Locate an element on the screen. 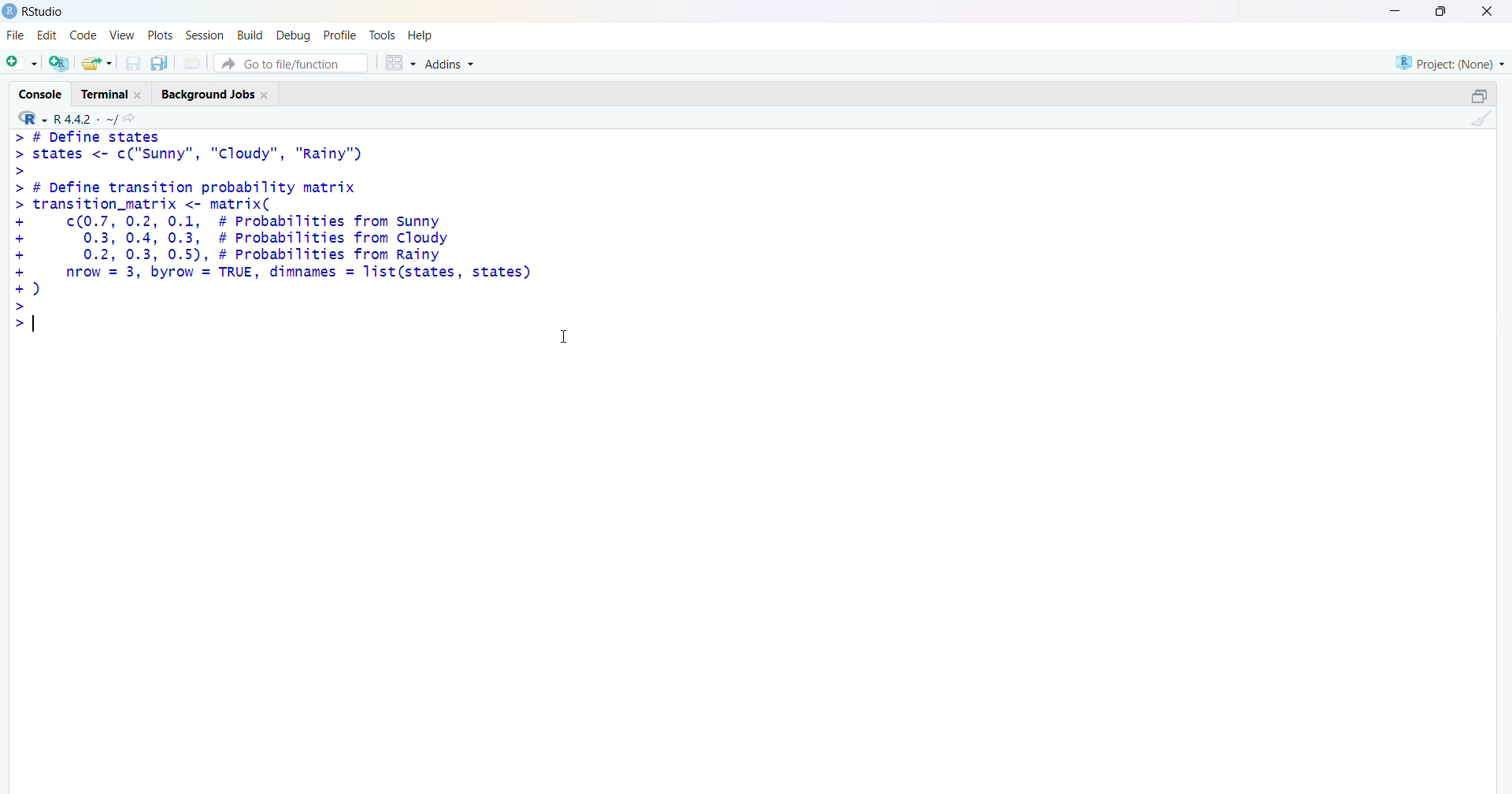 The width and height of the screenshot is (1512, 794). file is located at coordinates (13, 35).